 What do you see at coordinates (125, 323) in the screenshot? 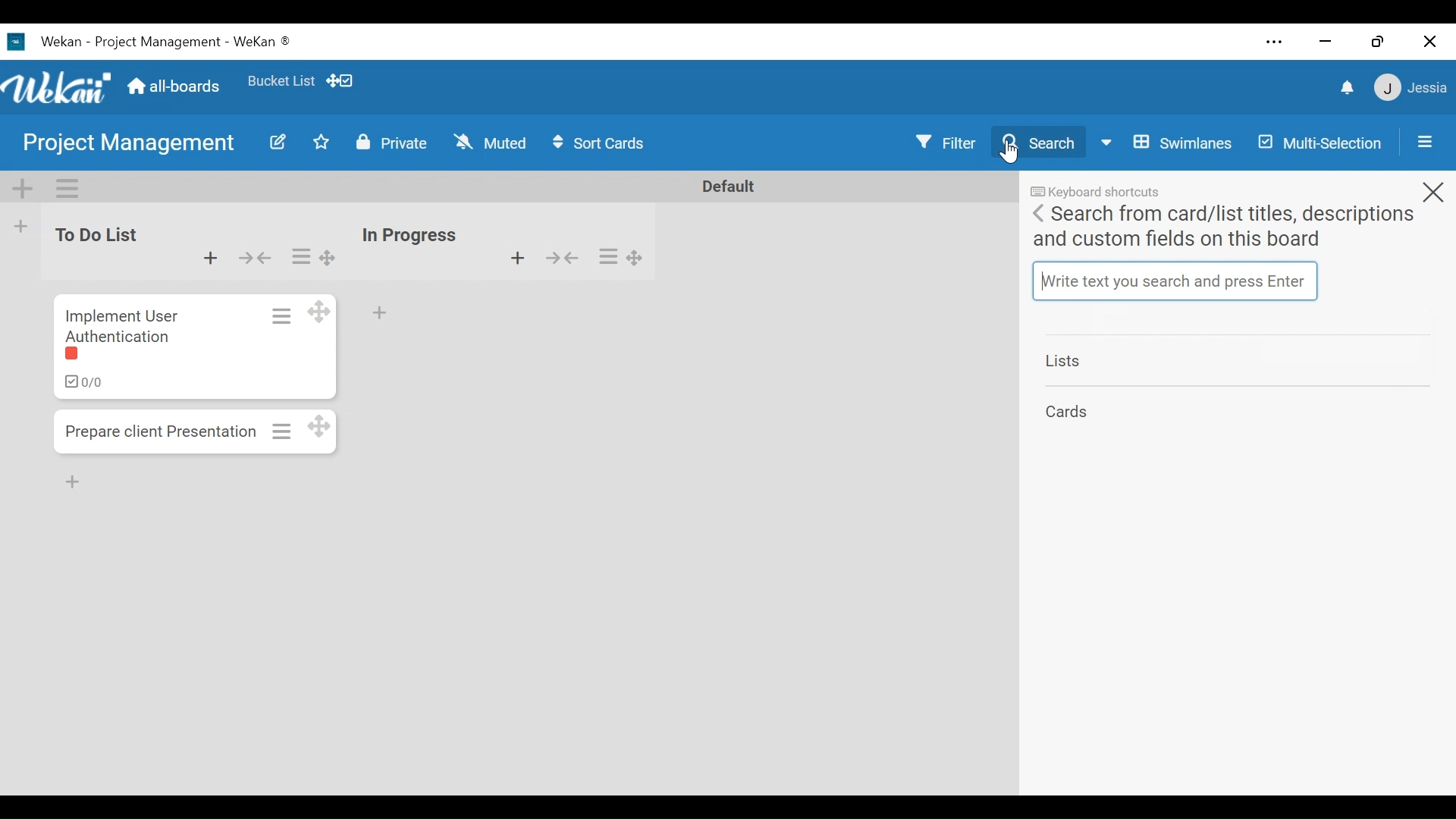
I see `Implement user authentication` at bounding box center [125, 323].